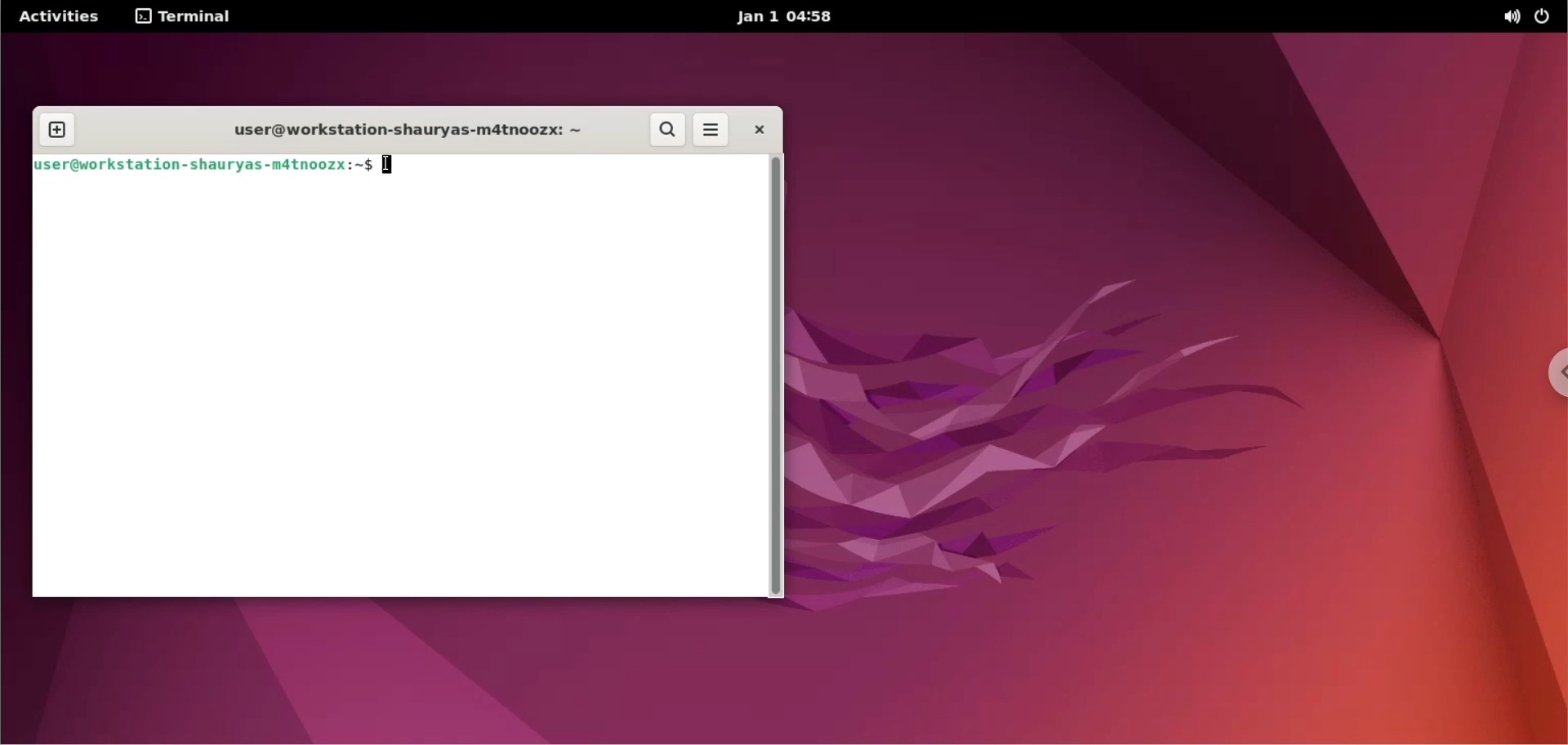 The image size is (1568, 745). What do you see at coordinates (777, 375) in the screenshot?
I see `scrollbar navigation` at bounding box center [777, 375].